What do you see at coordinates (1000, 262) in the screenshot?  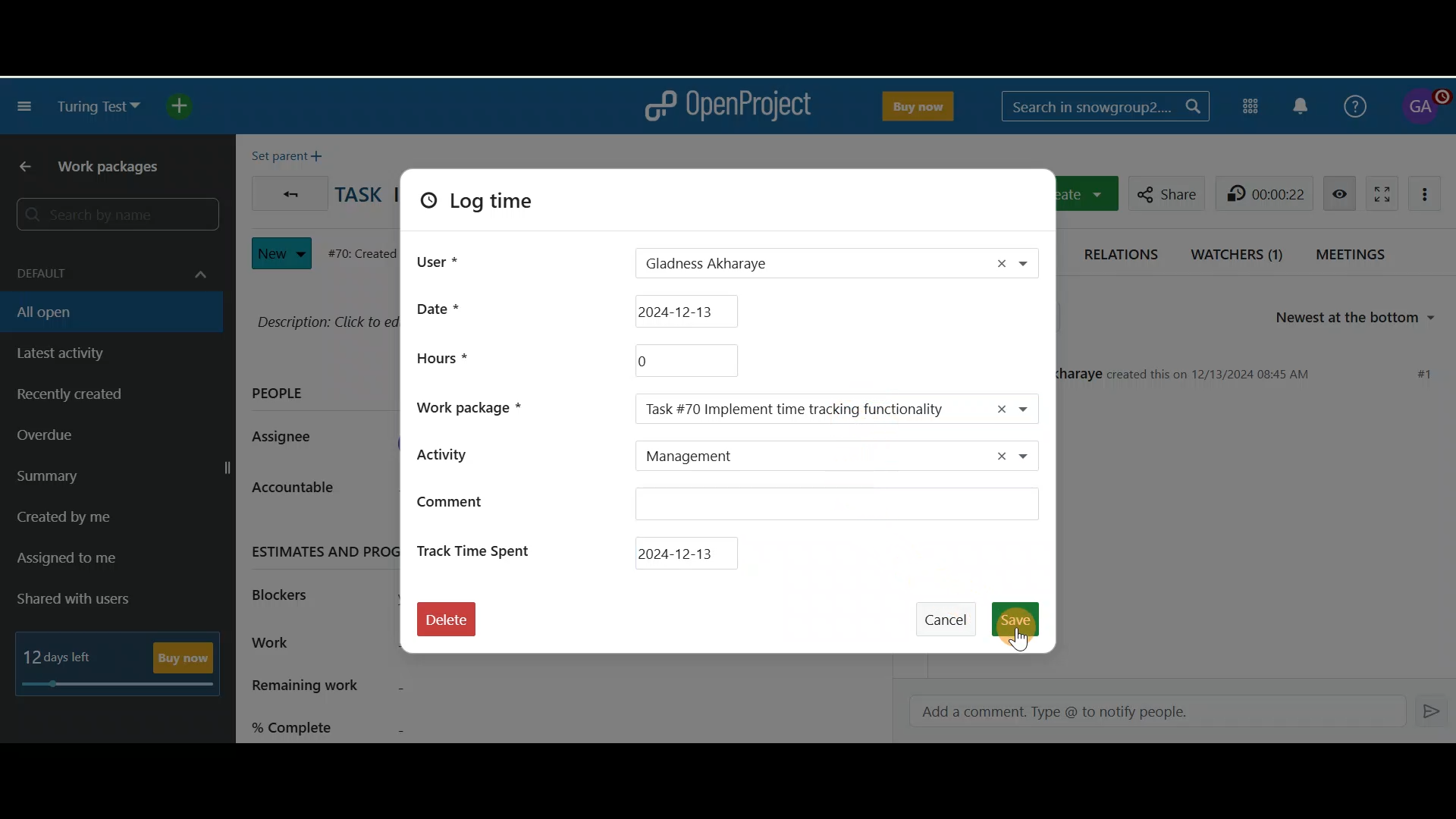 I see `Remove` at bounding box center [1000, 262].